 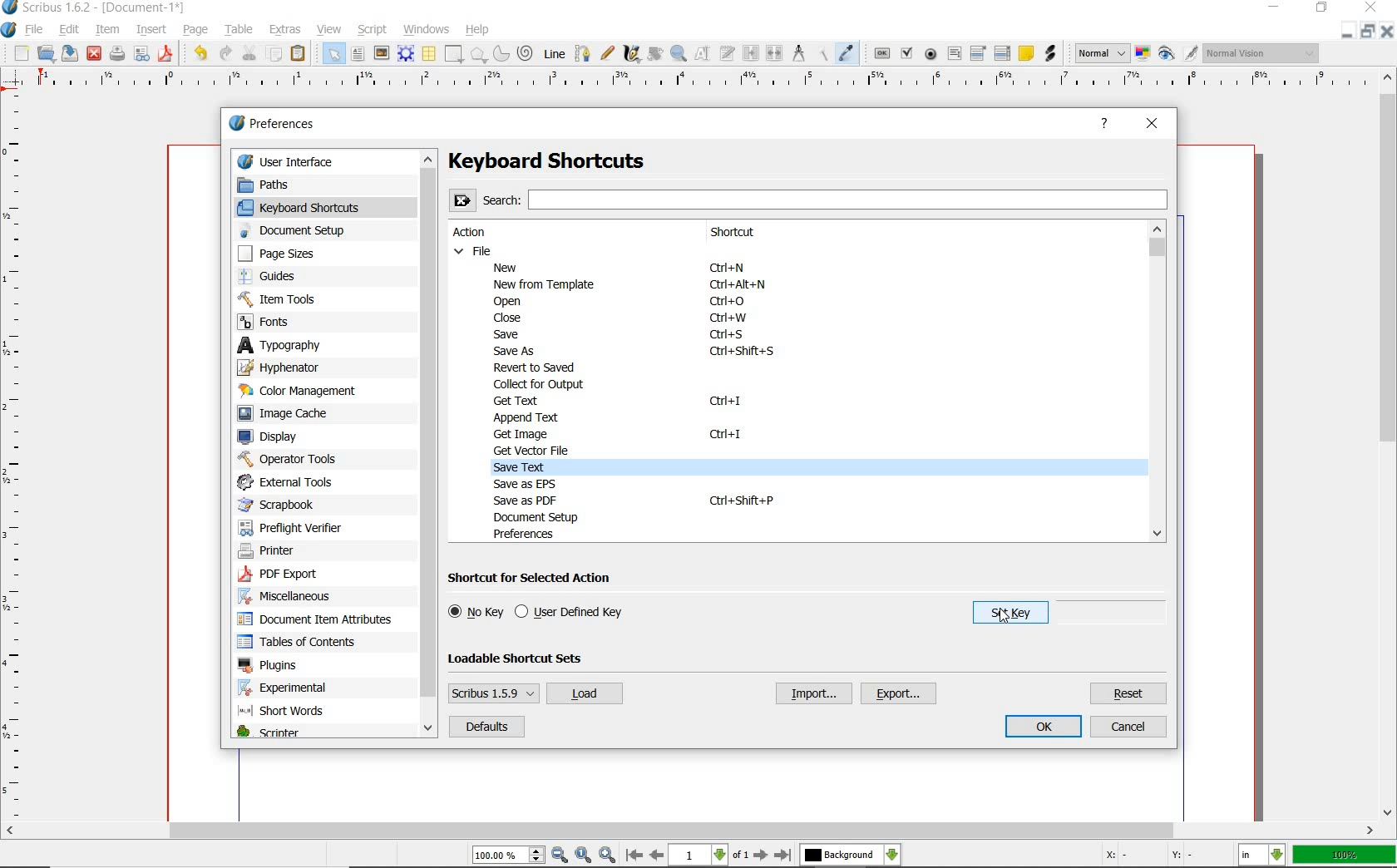 What do you see at coordinates (1389, 445) in the screenshot?
I see `scrollbar` at bounding box center [1389, 445].